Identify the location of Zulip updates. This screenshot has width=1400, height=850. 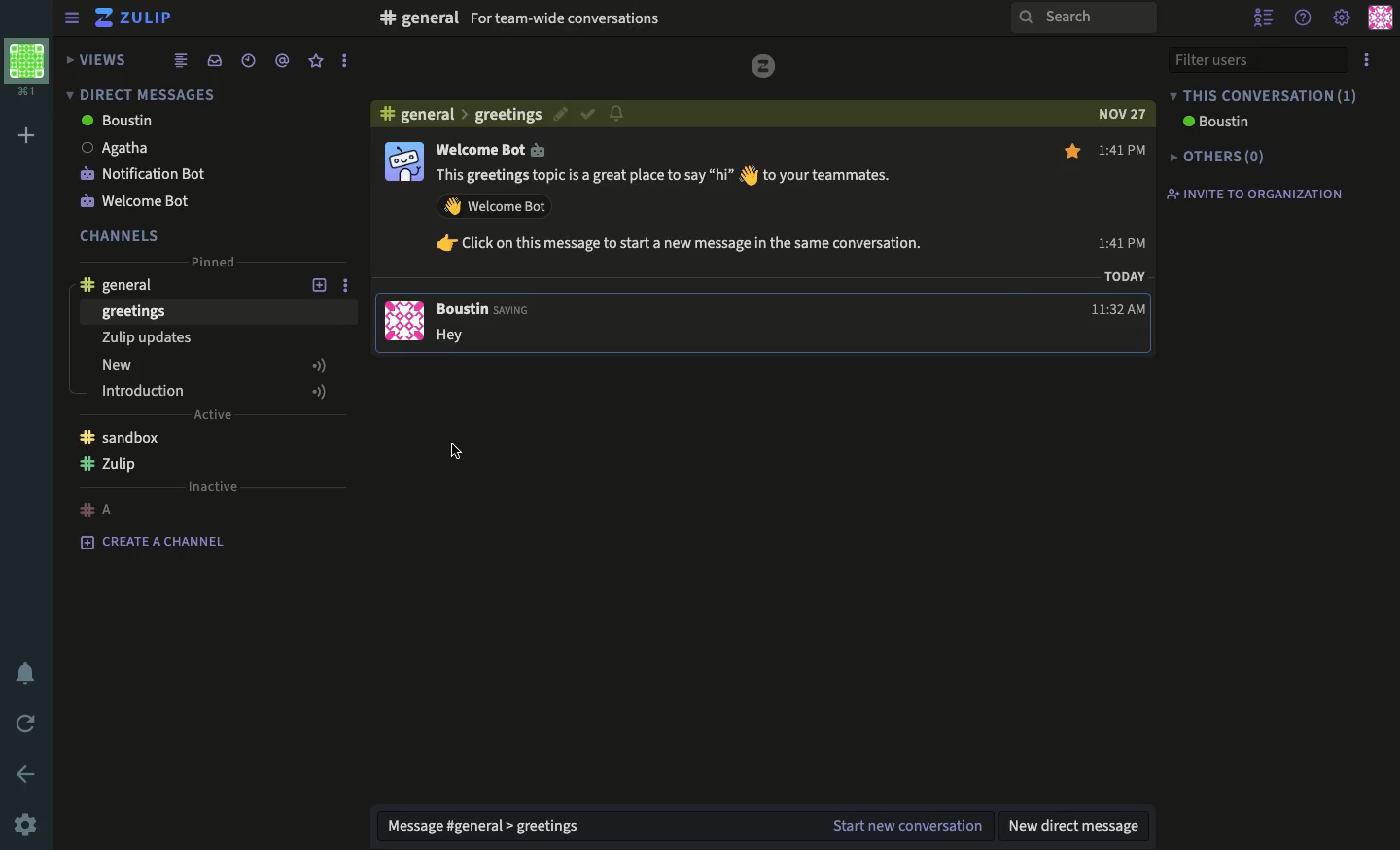
(144, 339).